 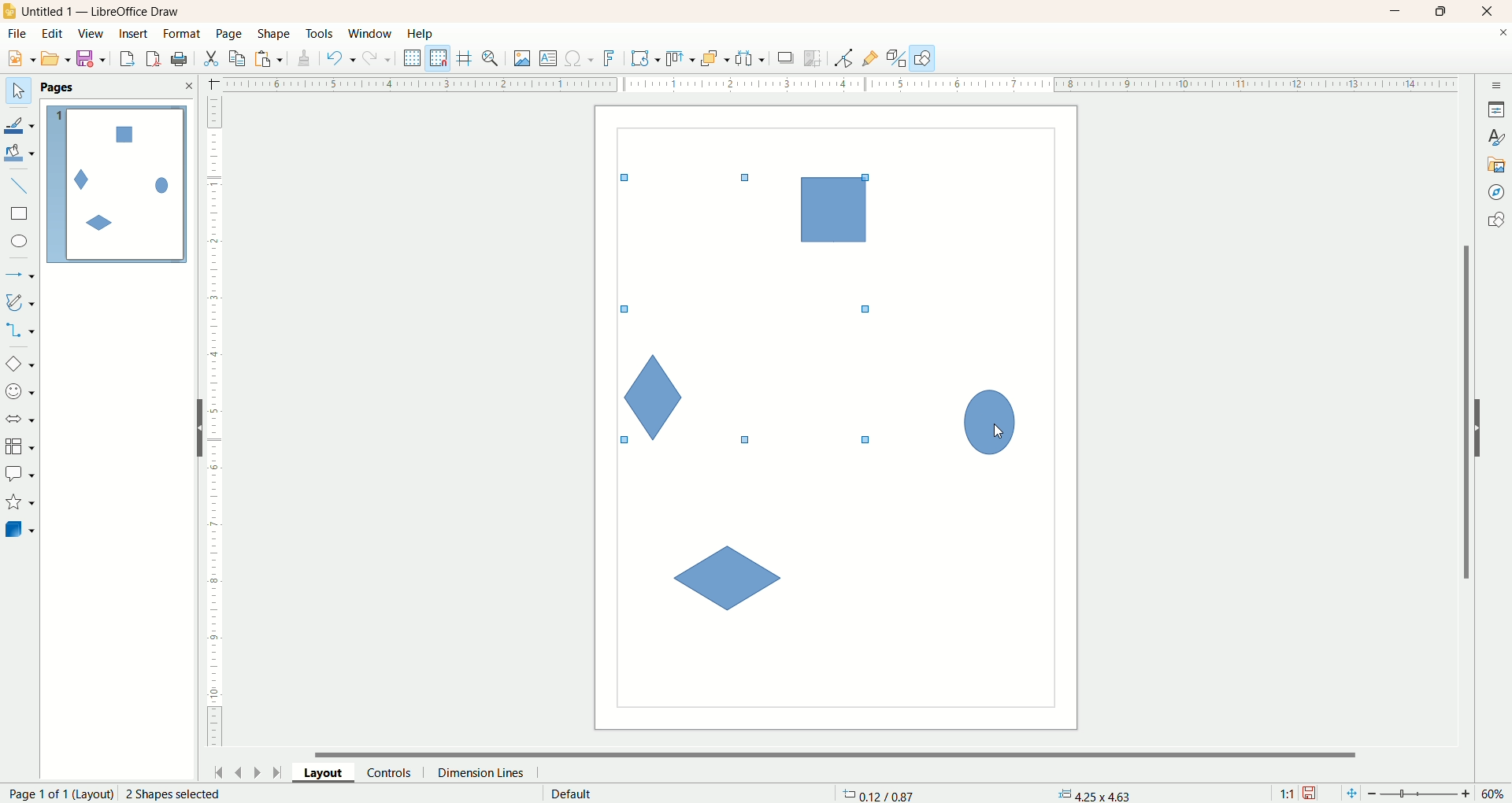 I want to click on first page, so click(x=216, y=770).